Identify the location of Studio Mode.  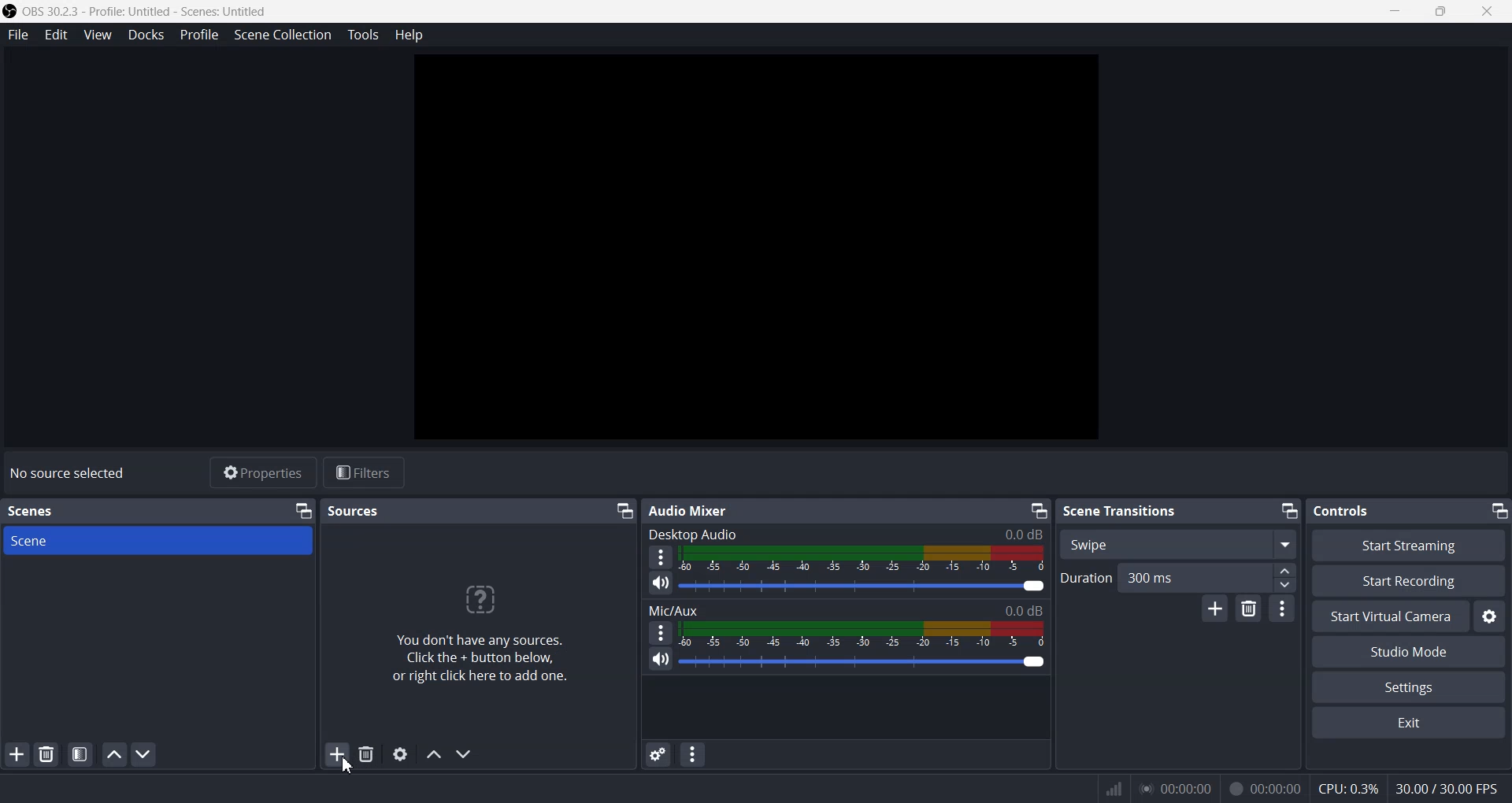
(1408, 653).